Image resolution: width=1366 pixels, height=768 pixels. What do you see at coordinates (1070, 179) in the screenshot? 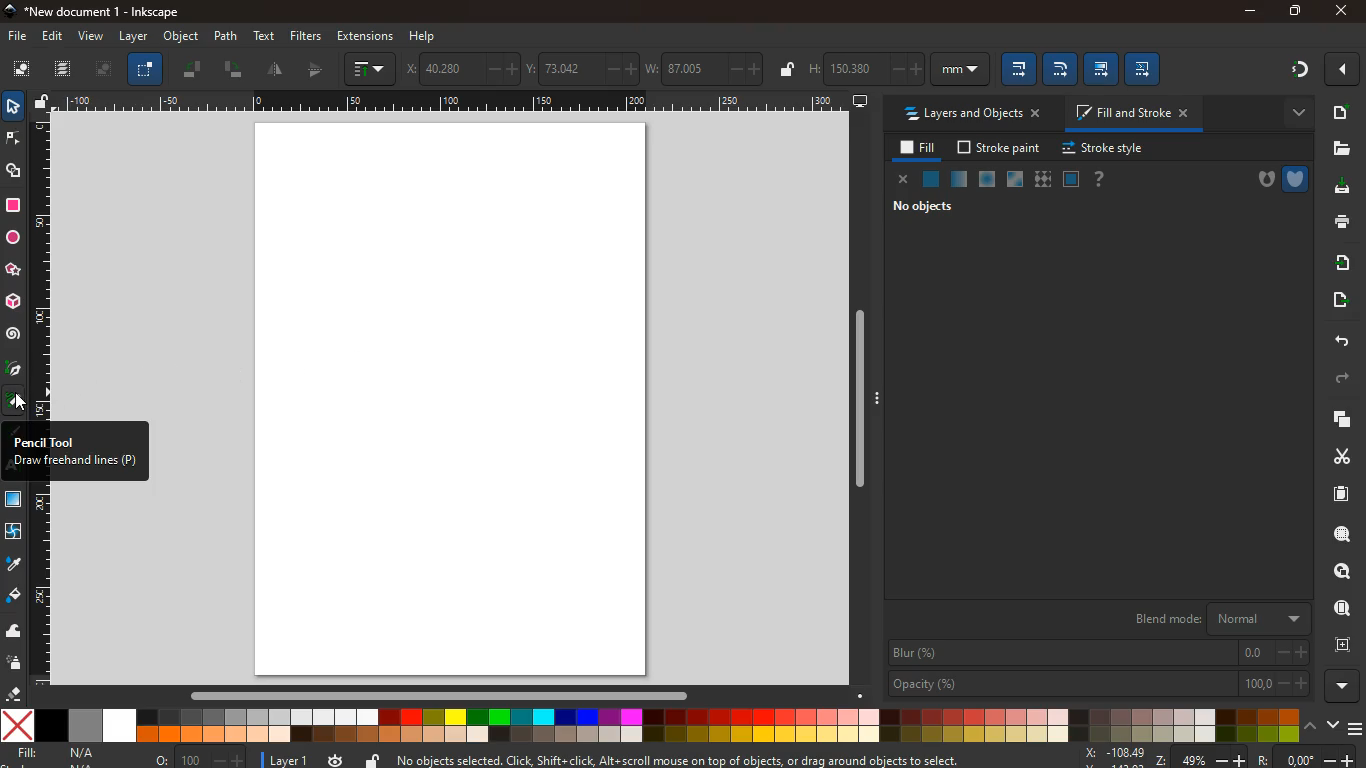
I see `frame` at bounding box center [1070, 179].